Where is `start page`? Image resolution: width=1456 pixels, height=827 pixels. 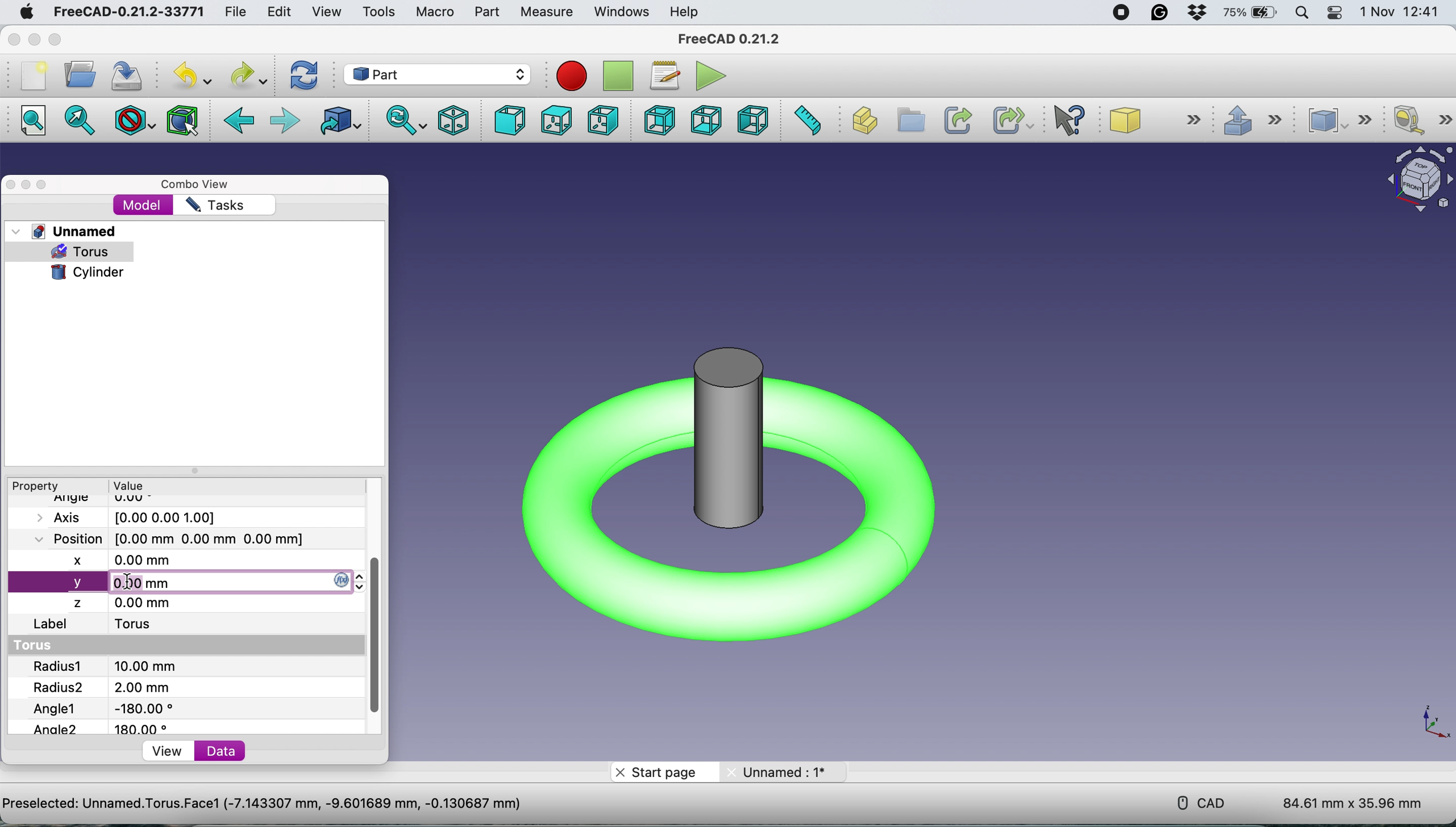 start page is located at coordinates (660, 771).